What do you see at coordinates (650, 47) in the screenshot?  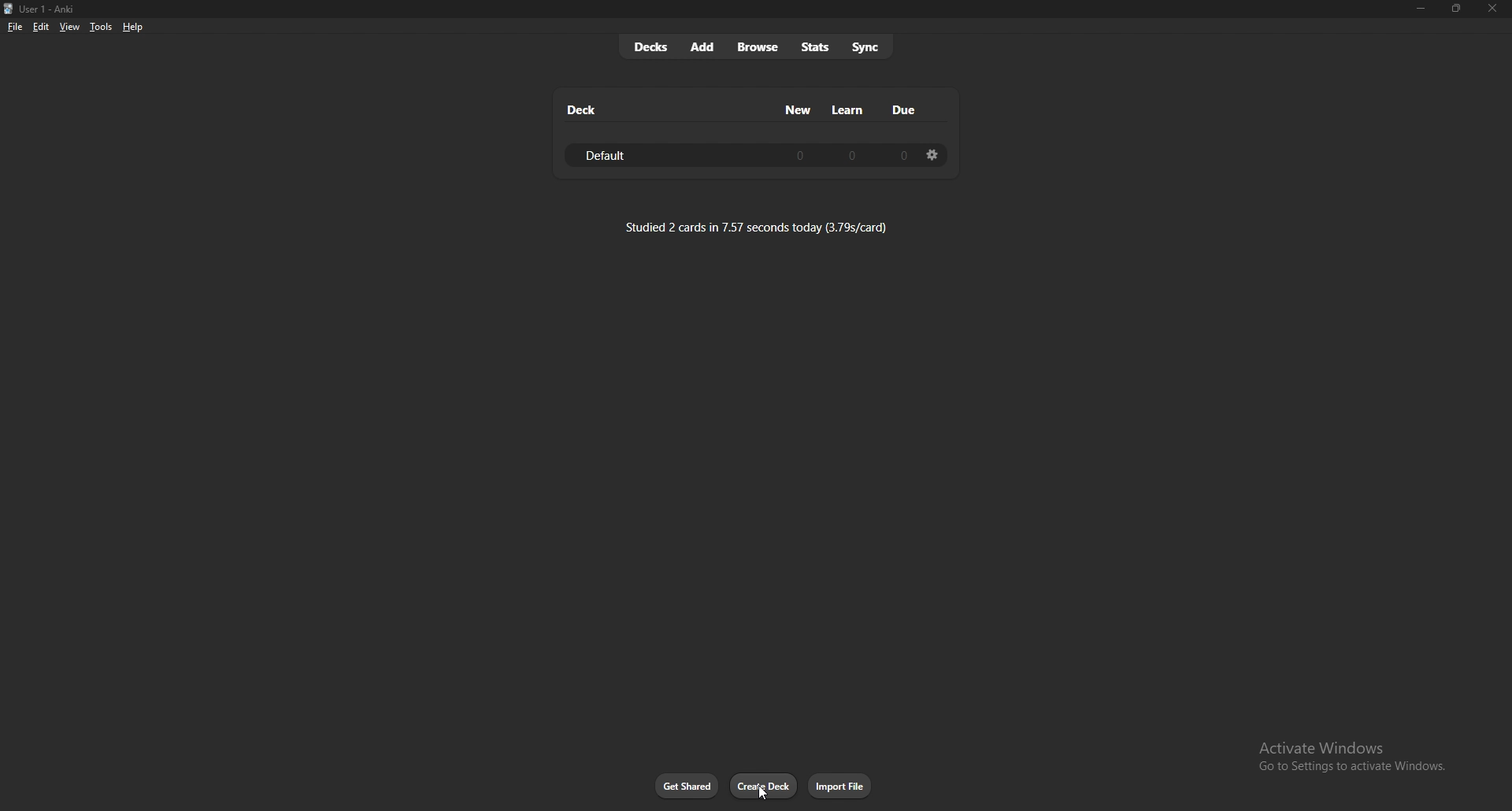 I see `decks` at bounding box center [650, 47].